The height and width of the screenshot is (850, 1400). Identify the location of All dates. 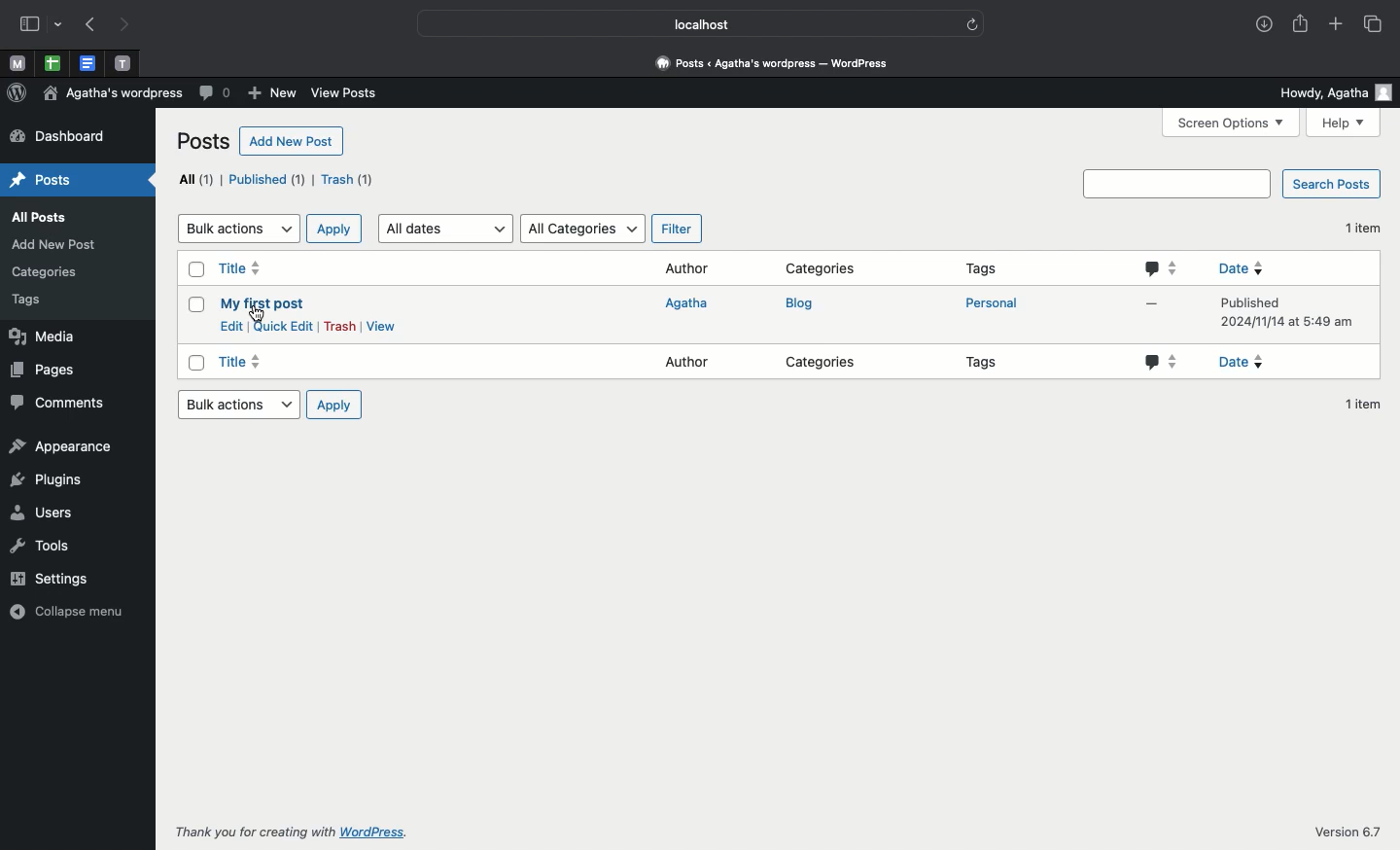
(447, 229).